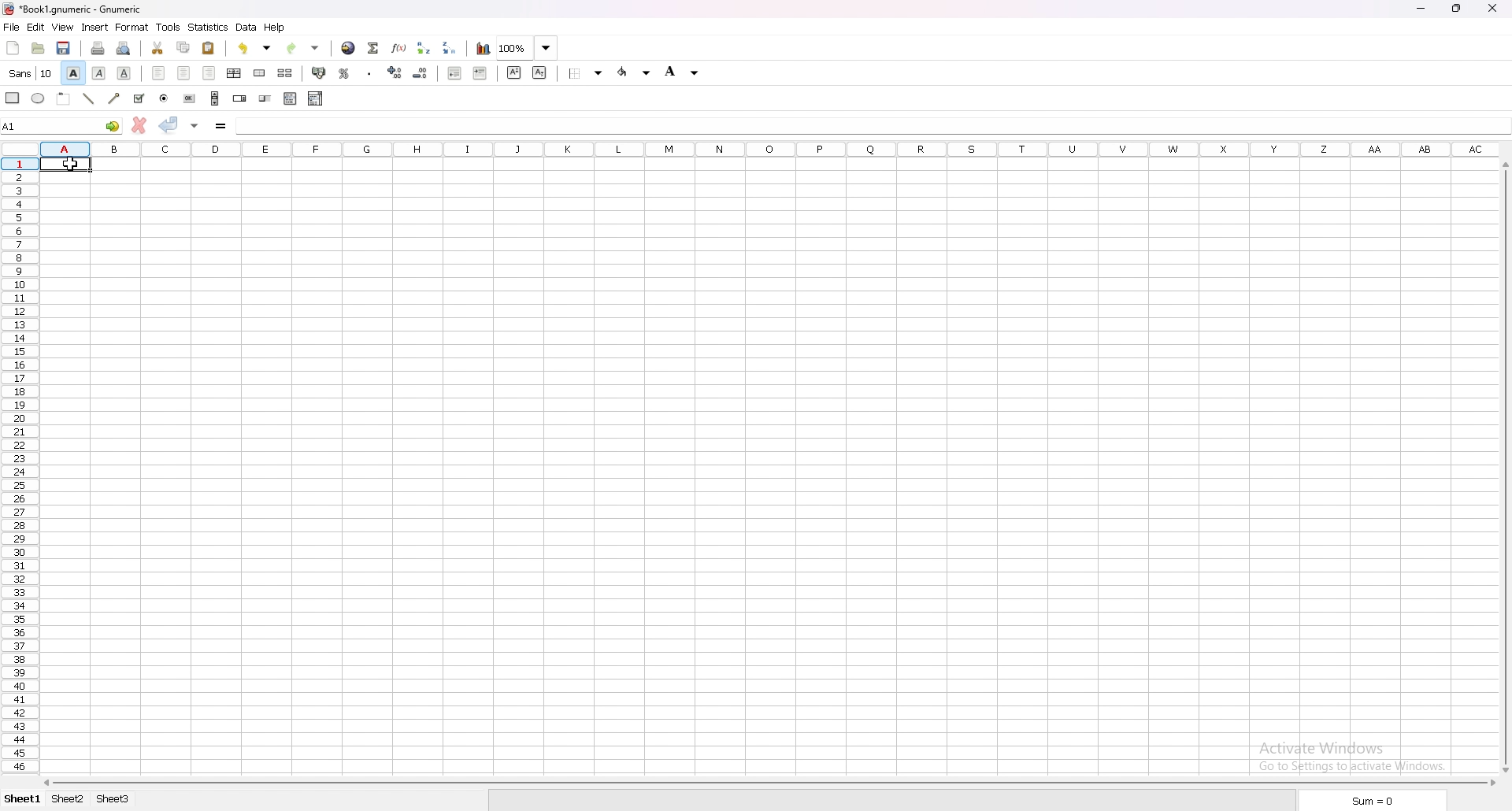 This screenshot has width=1512, height=811. What do you see at coordinates (63, 98) in the screenshot?
I see `frame` at bounding box center [63, 98].